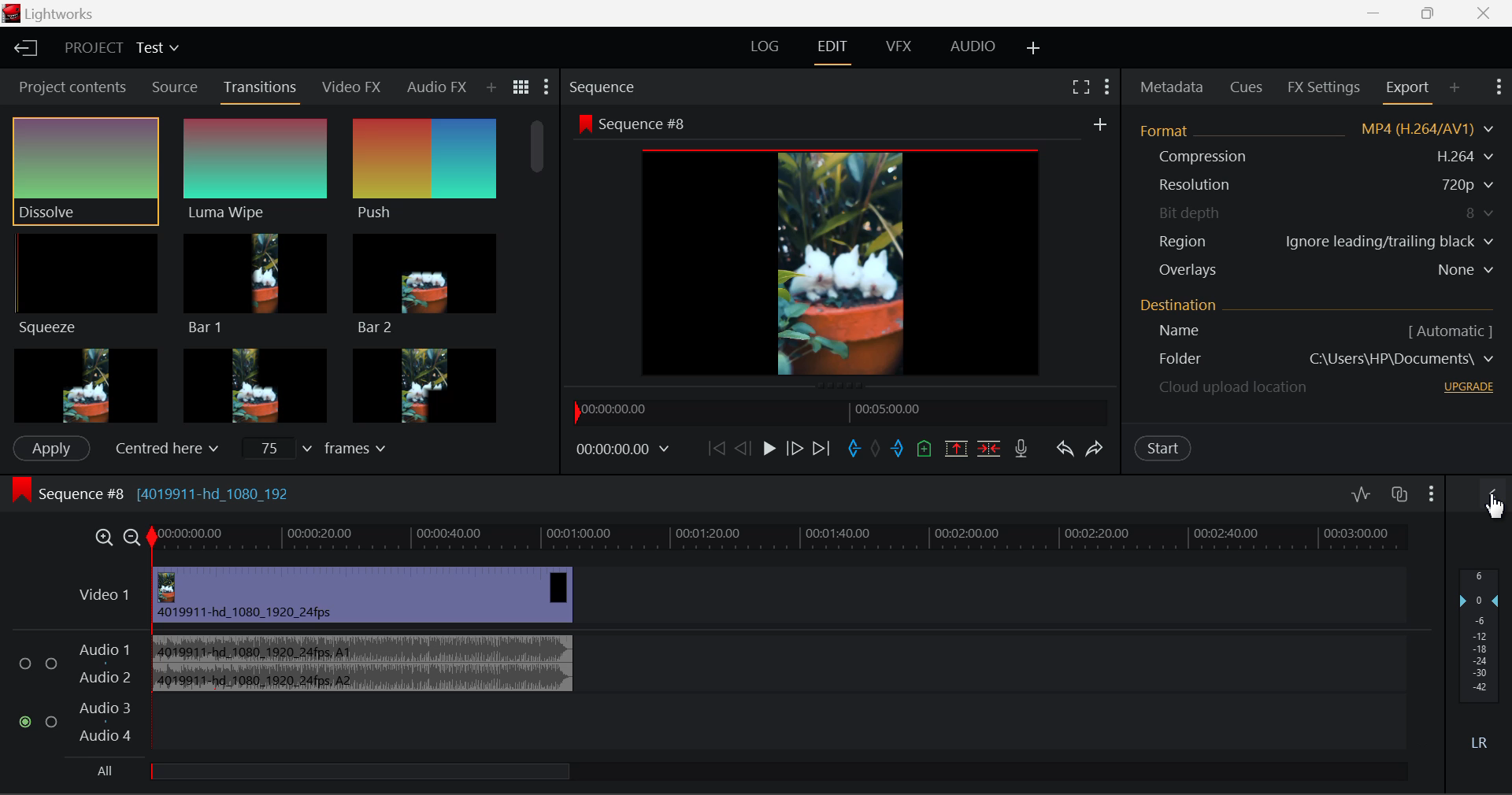  What do you see at coordinates (925, 448) in the screenshot?
I see `Mark Cue` at bounding box center [925, 448].